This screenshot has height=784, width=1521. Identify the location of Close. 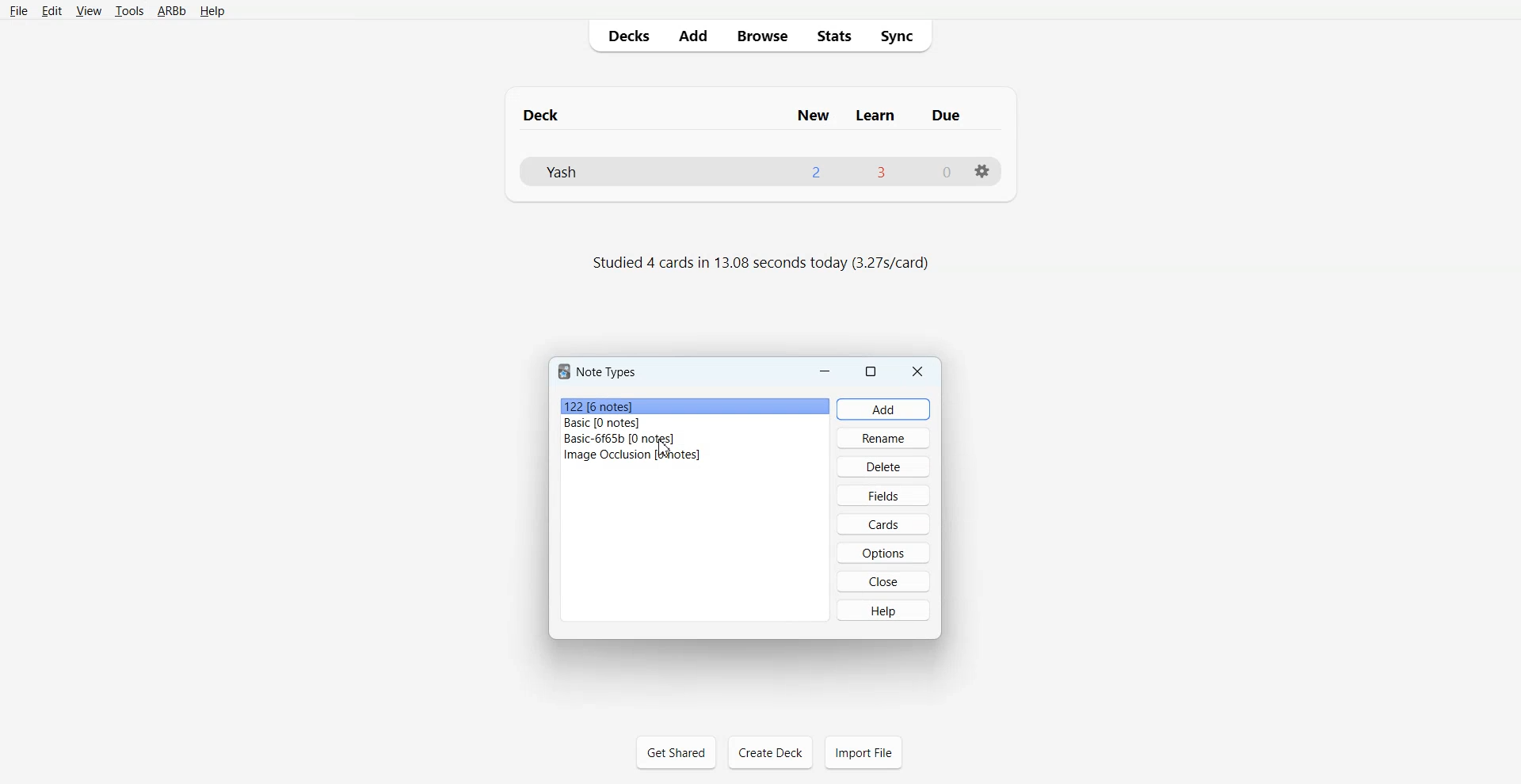
(917, 371).